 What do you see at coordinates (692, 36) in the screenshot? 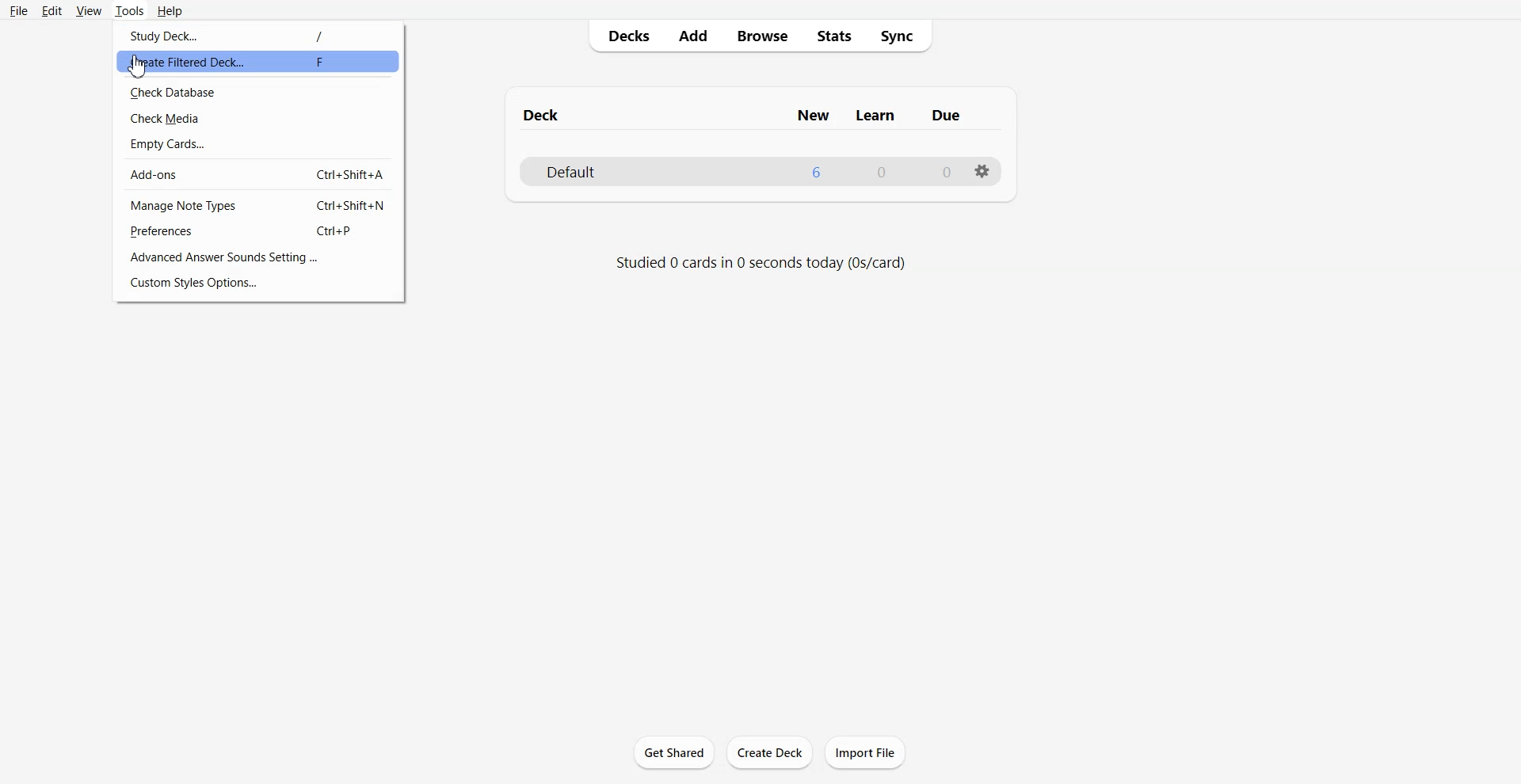
I see `Add` at bounding box center [692, 36].